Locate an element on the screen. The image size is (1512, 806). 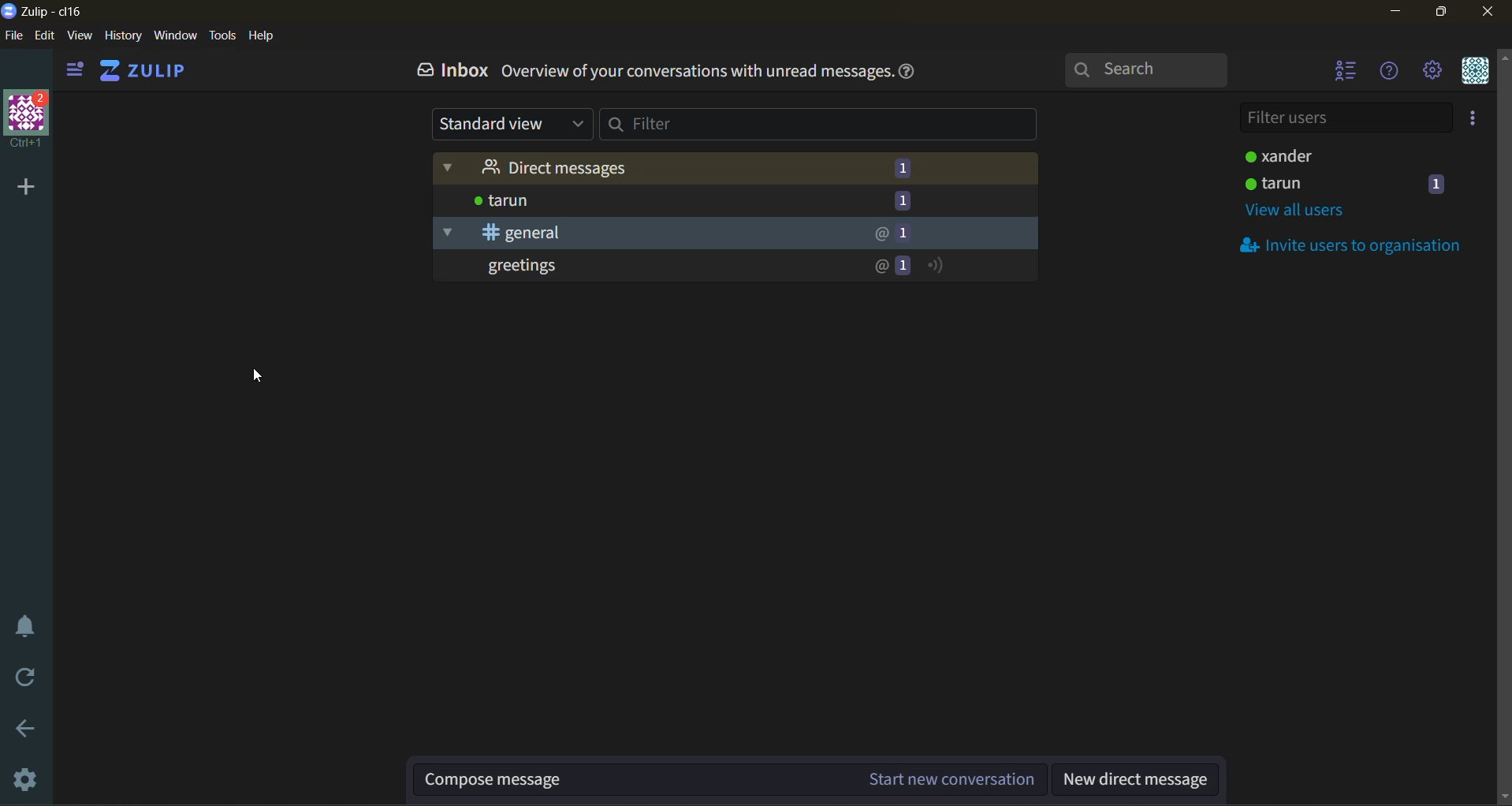
main menu is located at coordinates (1435, 75).